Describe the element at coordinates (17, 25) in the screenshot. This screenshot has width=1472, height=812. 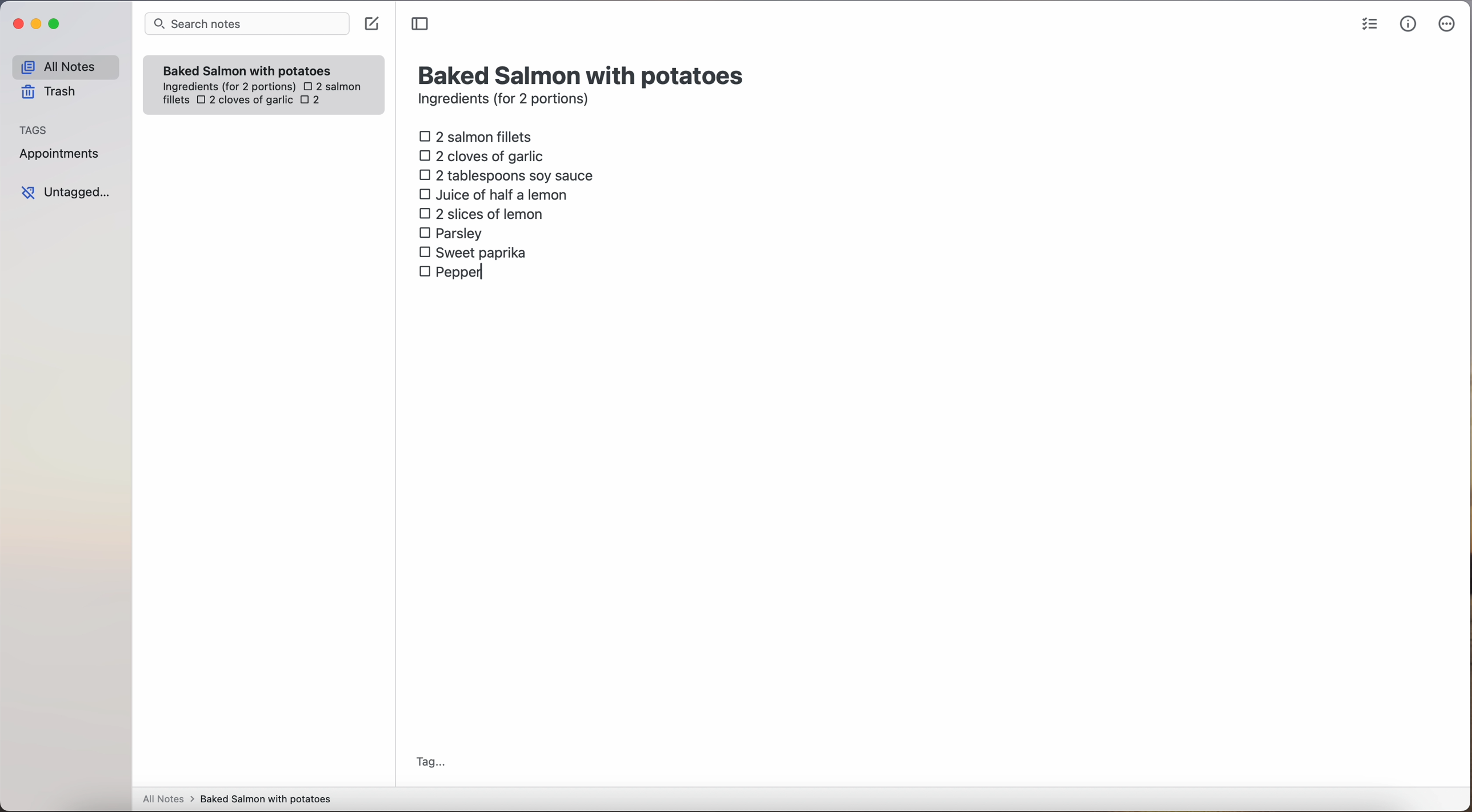
I see `close Simplenote` at that location.